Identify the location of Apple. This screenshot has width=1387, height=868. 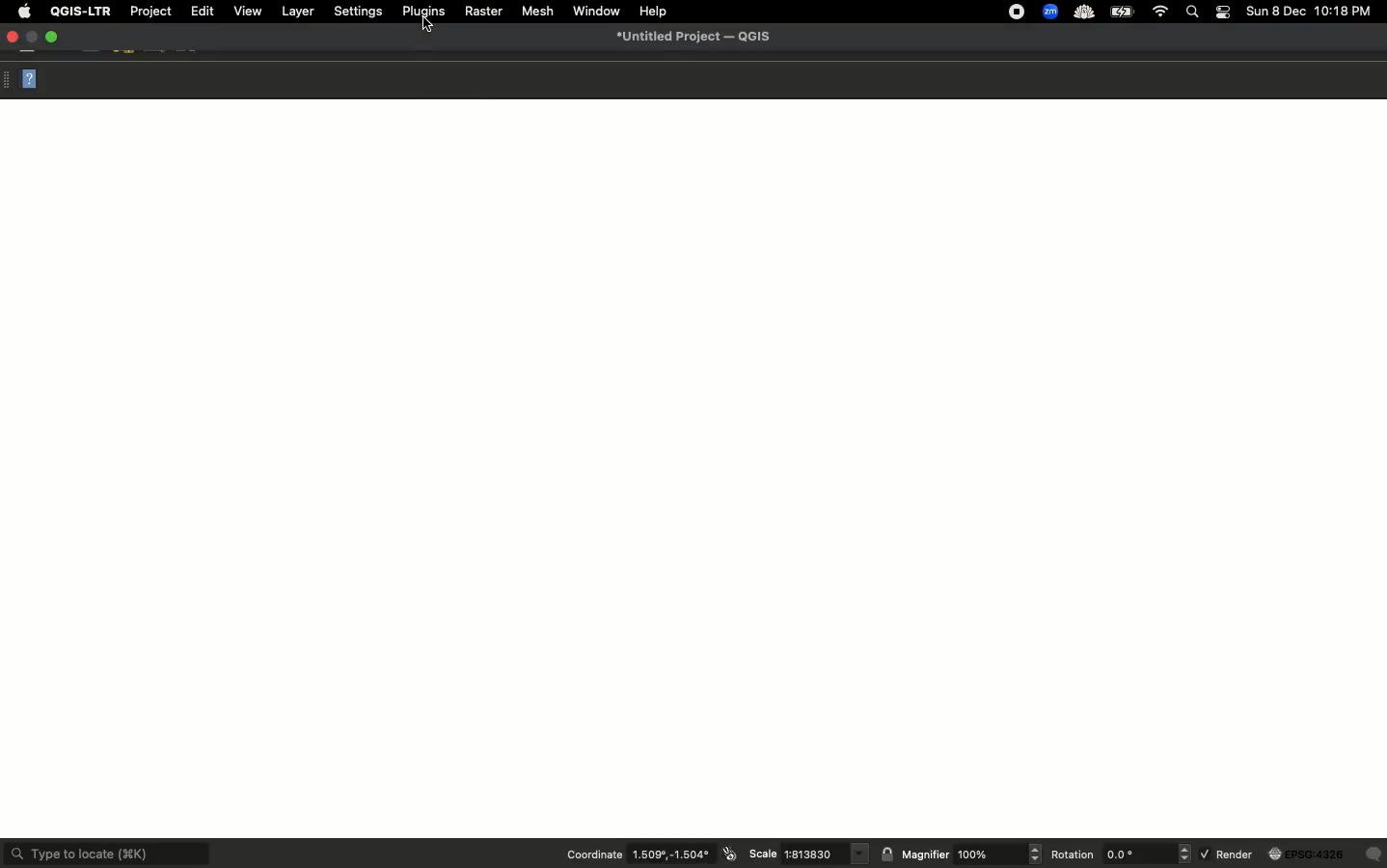
(24, 10).